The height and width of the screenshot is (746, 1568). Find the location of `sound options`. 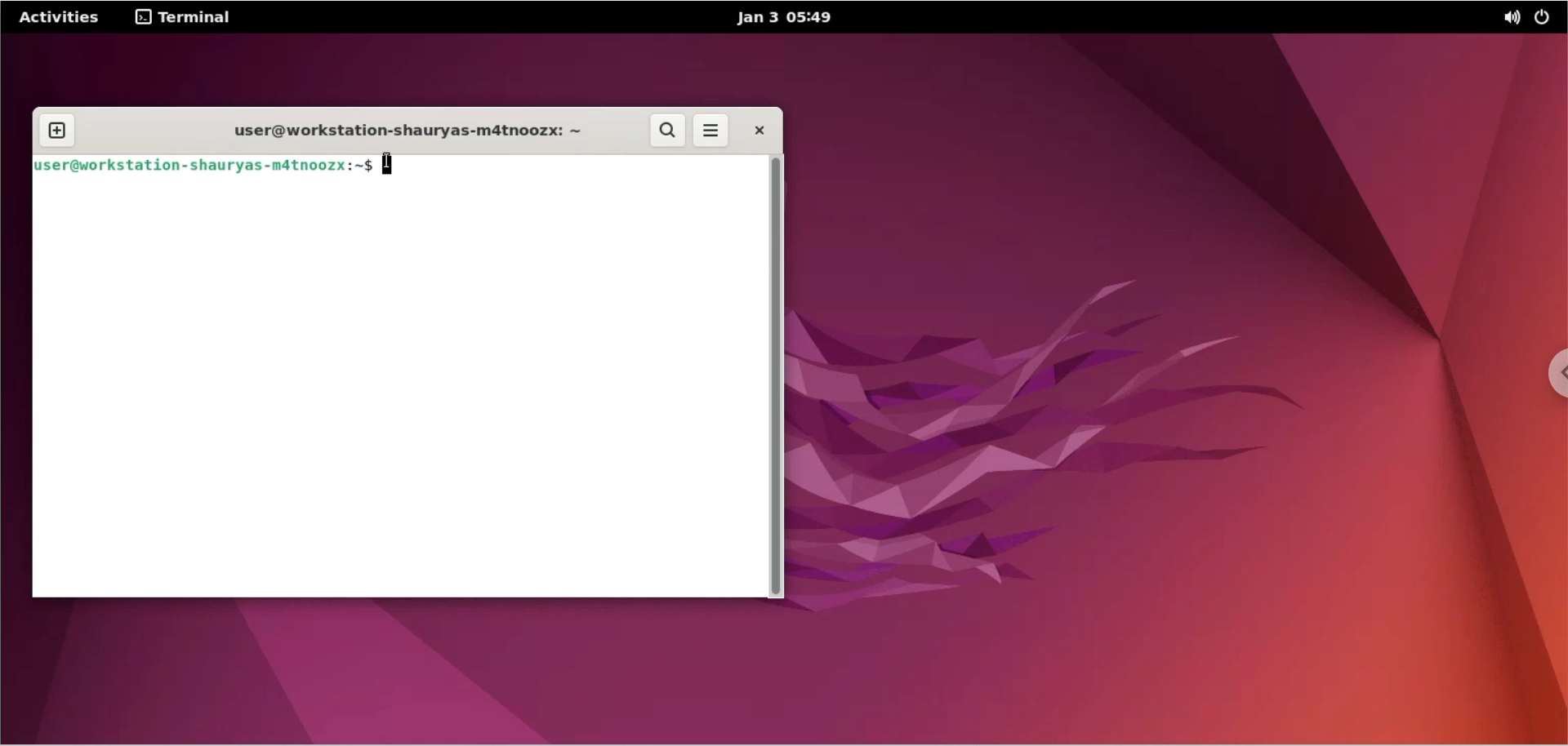

sound options is located at coordinates (1508, 20).